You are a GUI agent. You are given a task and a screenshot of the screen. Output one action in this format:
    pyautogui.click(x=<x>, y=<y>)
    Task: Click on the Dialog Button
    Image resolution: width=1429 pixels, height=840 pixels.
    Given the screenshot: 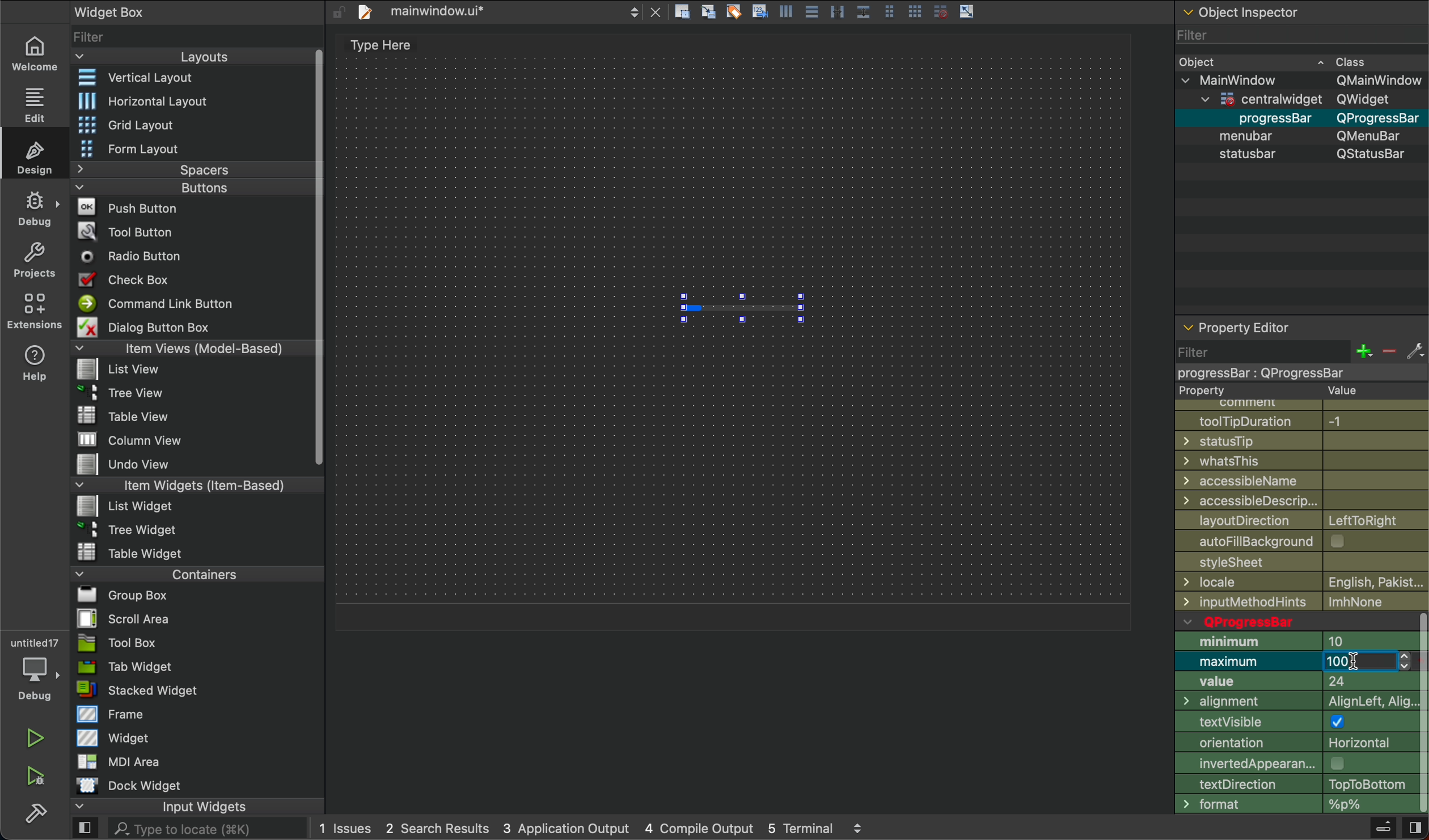 What is the action you would take?
    pyautogui.click(x=157, y=326)
    